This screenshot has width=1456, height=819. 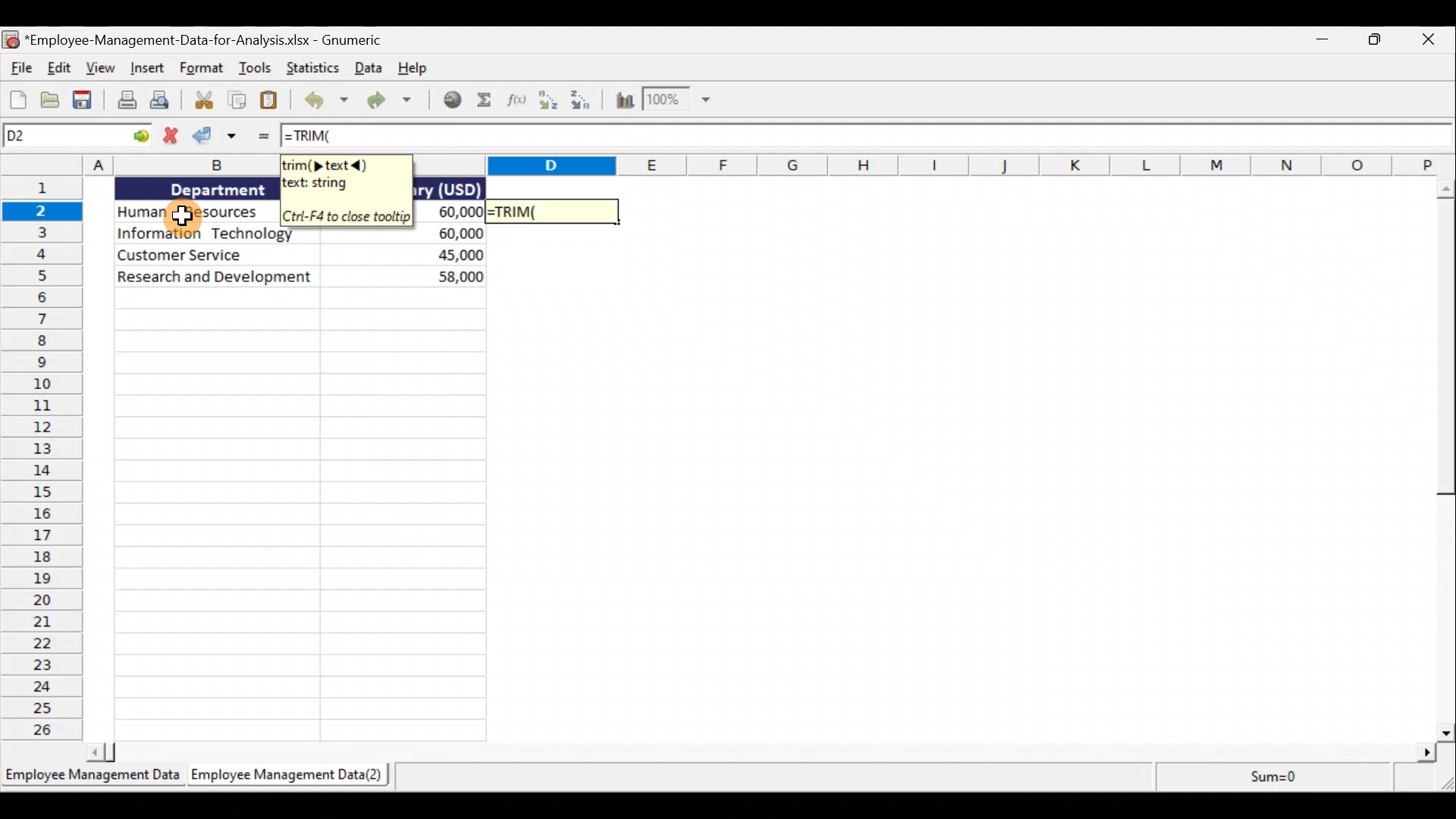 I want to click on Sort descending, so click(x=586, y=101).